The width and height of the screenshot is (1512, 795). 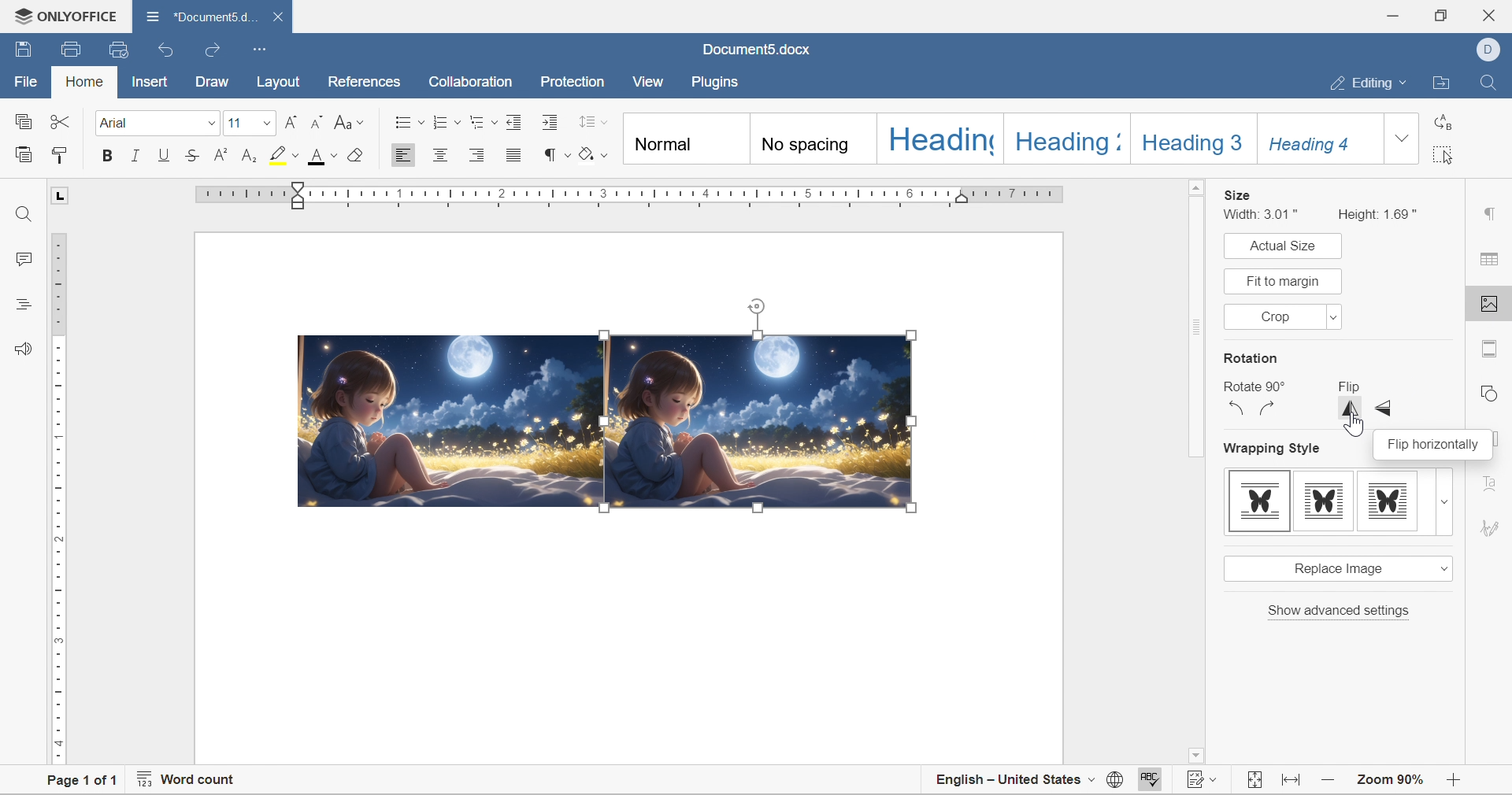 I want to click on document5.docx, so click(x=759, y=50).